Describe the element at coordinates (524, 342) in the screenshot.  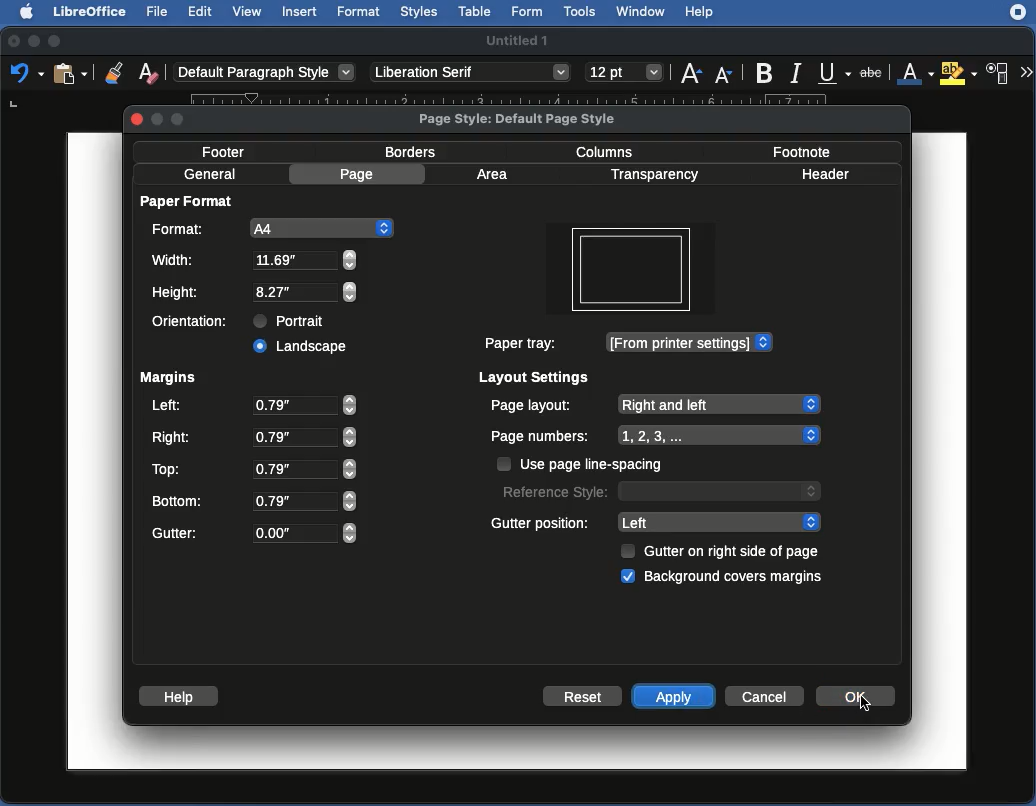
I see `Paper tray` at that location.